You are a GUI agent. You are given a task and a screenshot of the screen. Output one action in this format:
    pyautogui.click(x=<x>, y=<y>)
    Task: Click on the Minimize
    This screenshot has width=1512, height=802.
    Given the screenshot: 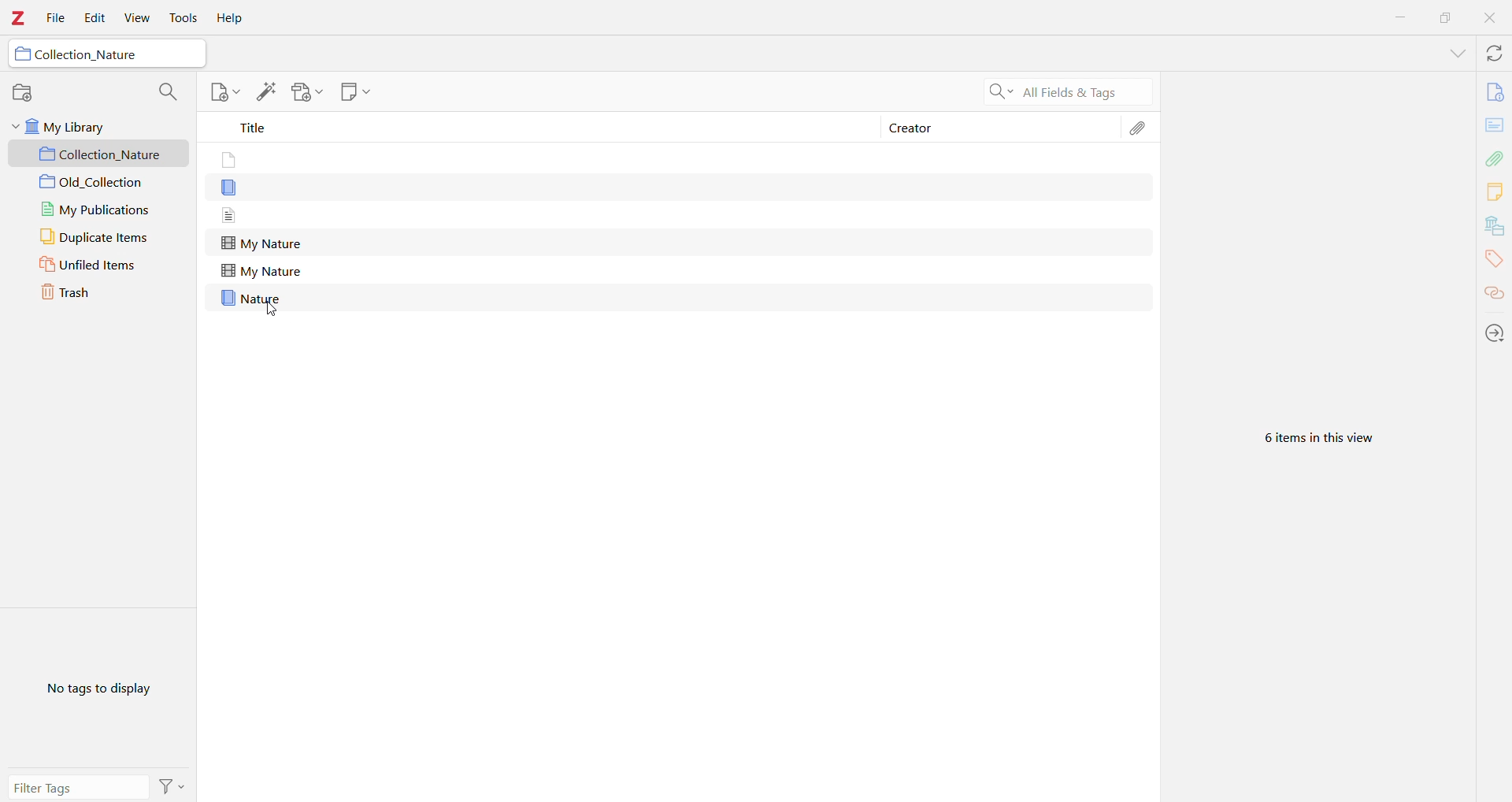 What is the action you would take?
    pyautogui.click(x=1398, y=17)
    